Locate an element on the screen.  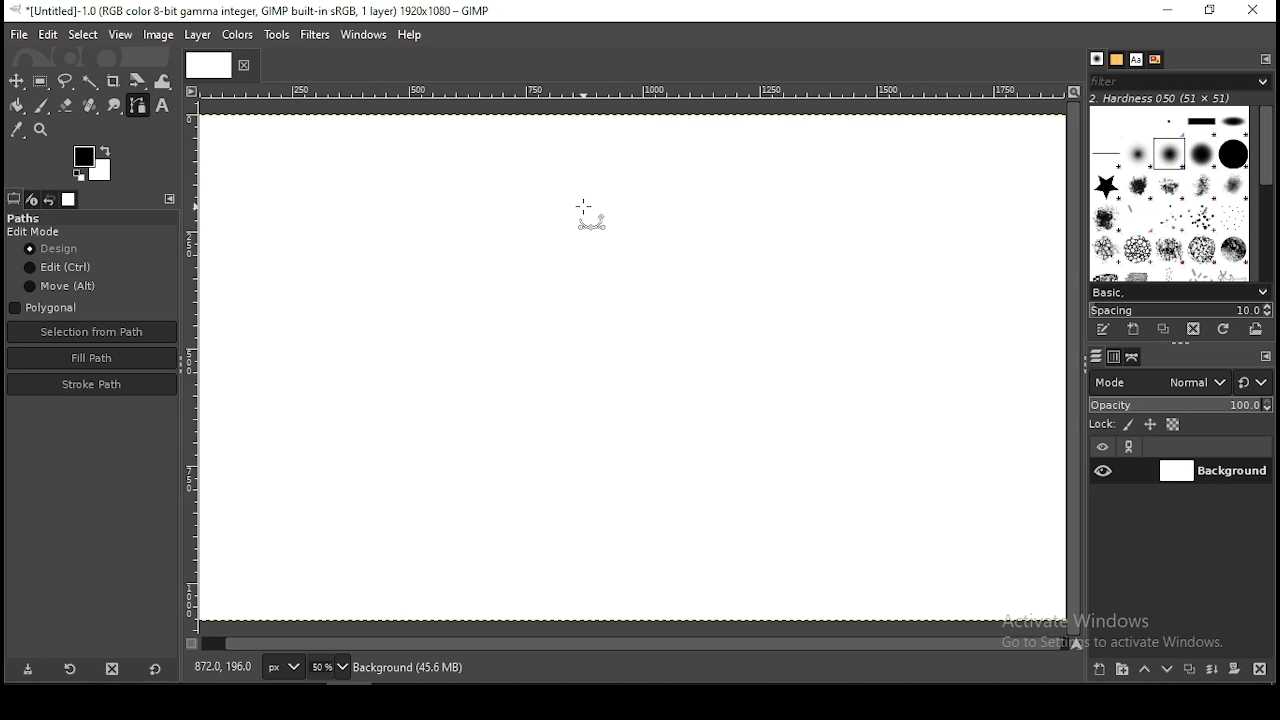
duplicate this brush is located at coordinates (1164, 329).